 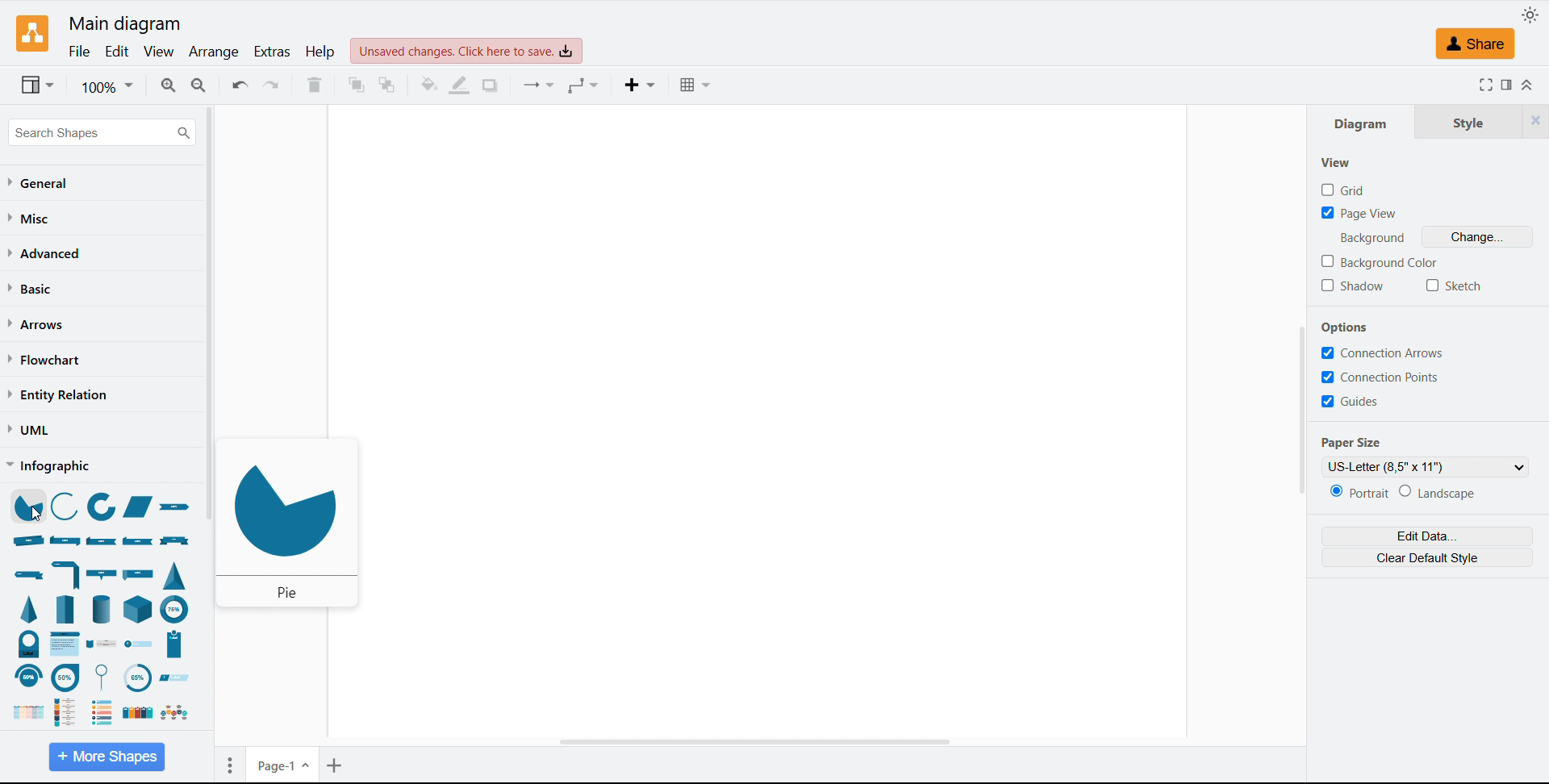 I want to click on ribbon double folded, so click(x=66, y=540).